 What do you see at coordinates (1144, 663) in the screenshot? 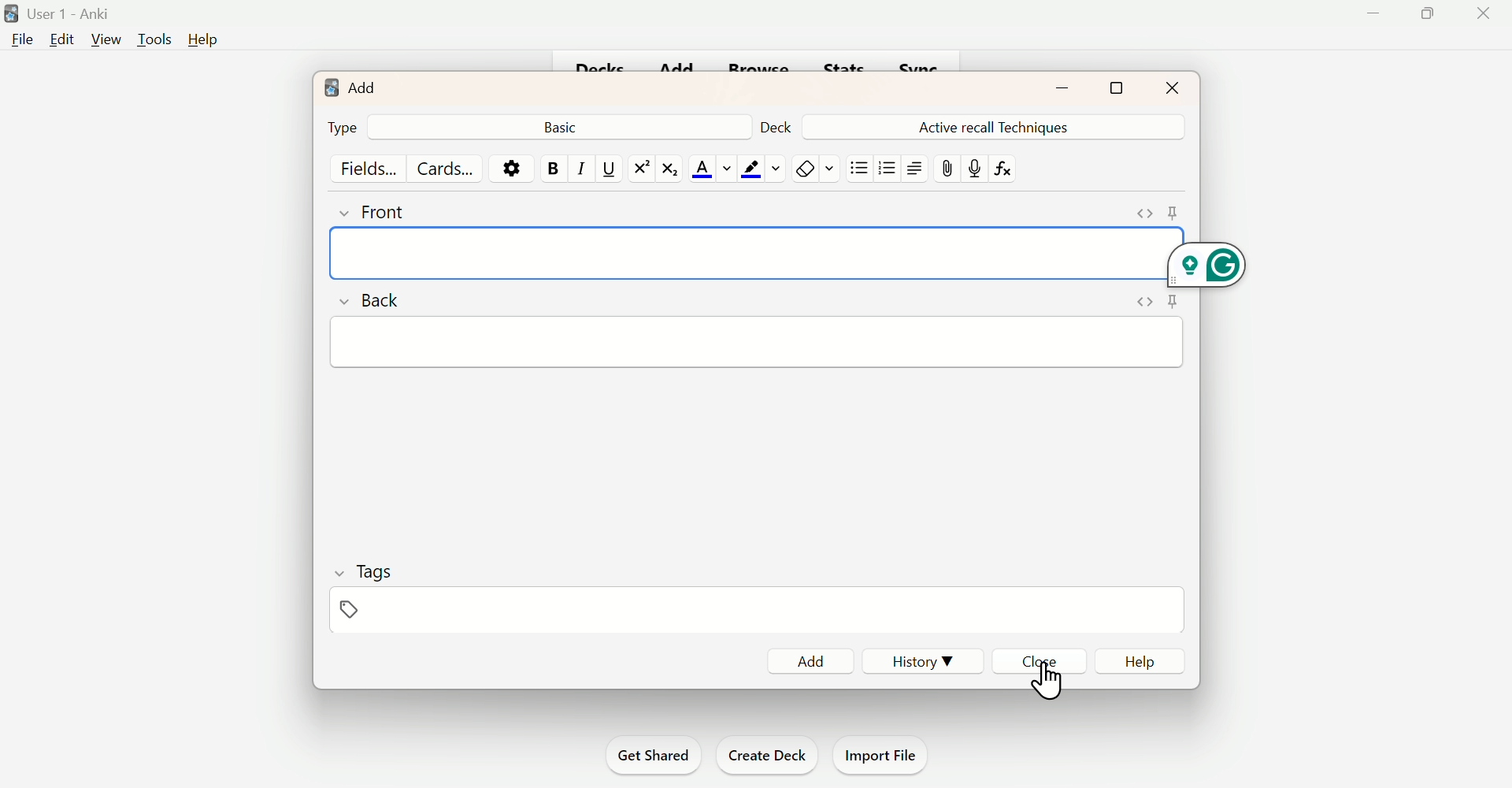
I see `Help` at bounding box center [1144, 663].